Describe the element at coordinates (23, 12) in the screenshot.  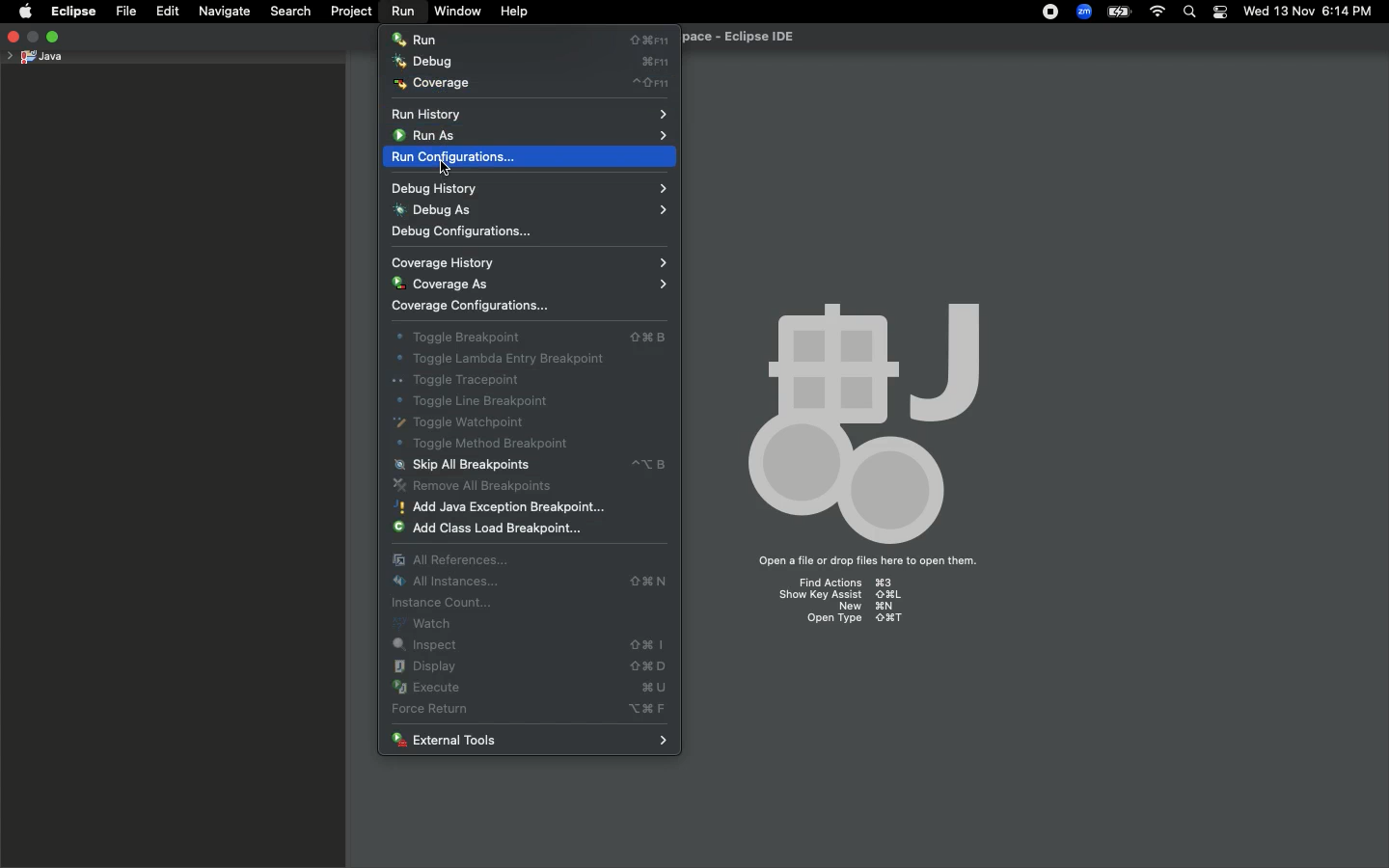
I see `Apple logo` at that location.